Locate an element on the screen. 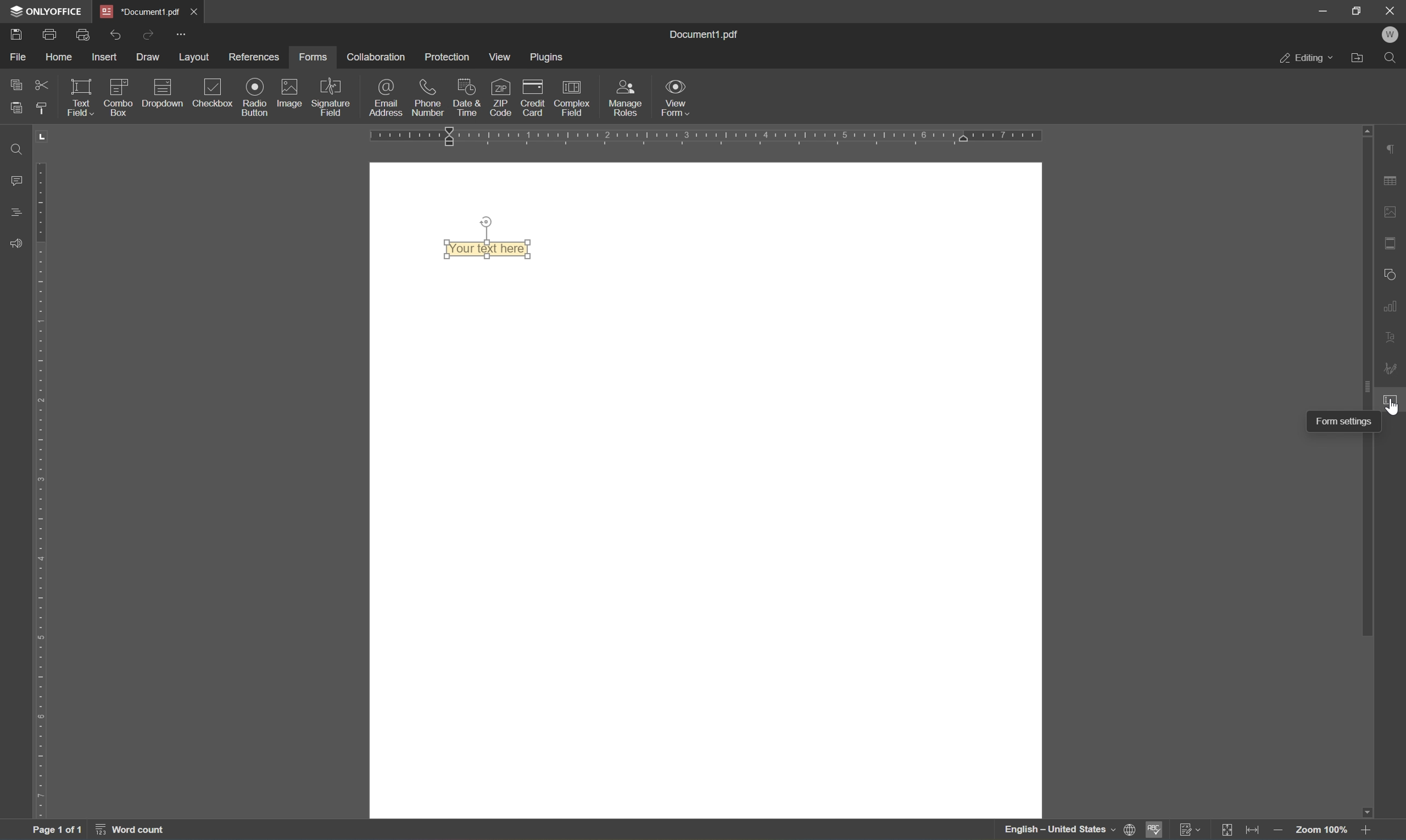  word count is located at coordinates (129, 832).